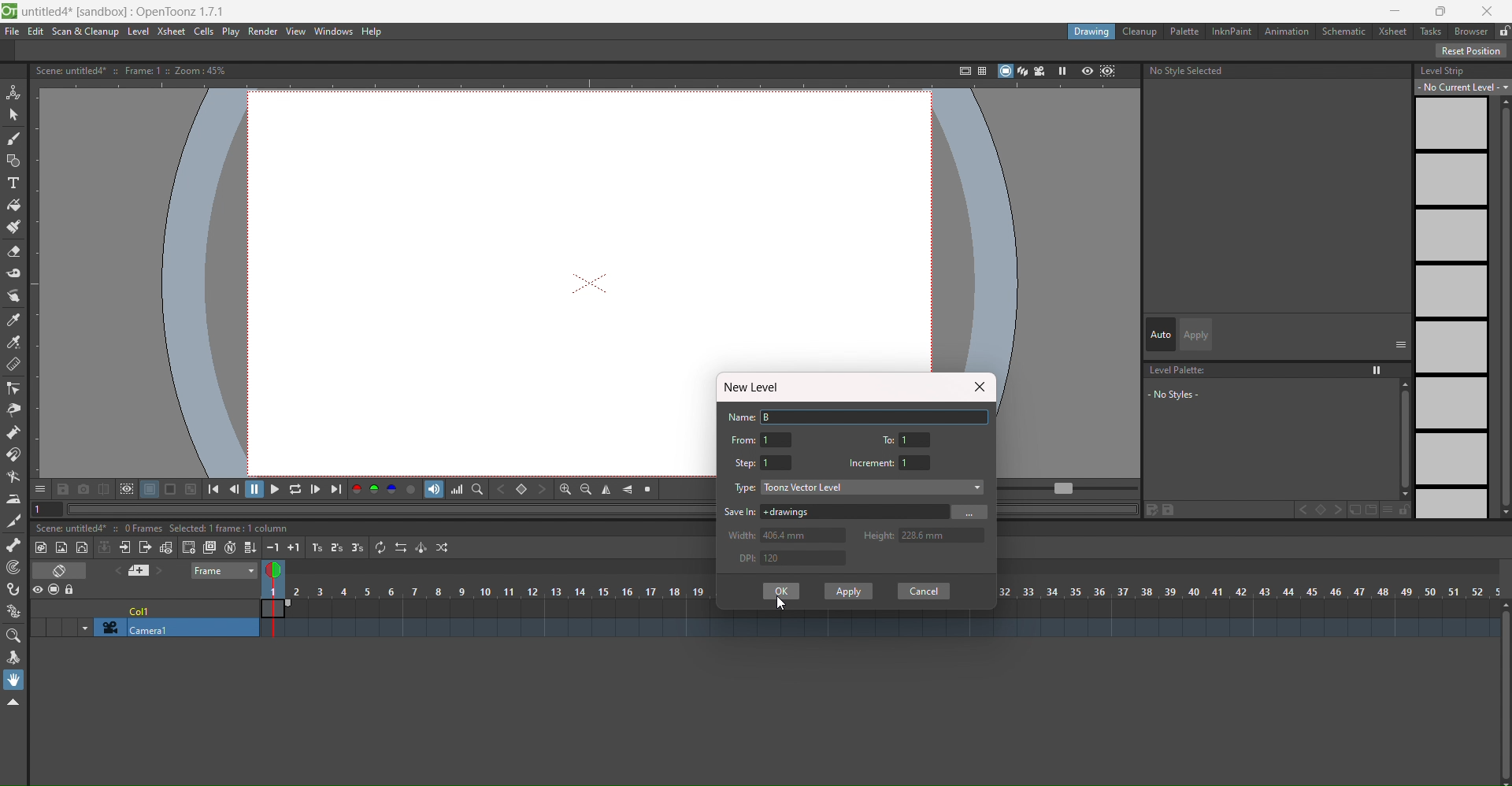 The width and height of the screenshot is (1512, 786). Describe the element at coordinates (1503, 307) in the screenshot. I see `Scroll bar` at that location.